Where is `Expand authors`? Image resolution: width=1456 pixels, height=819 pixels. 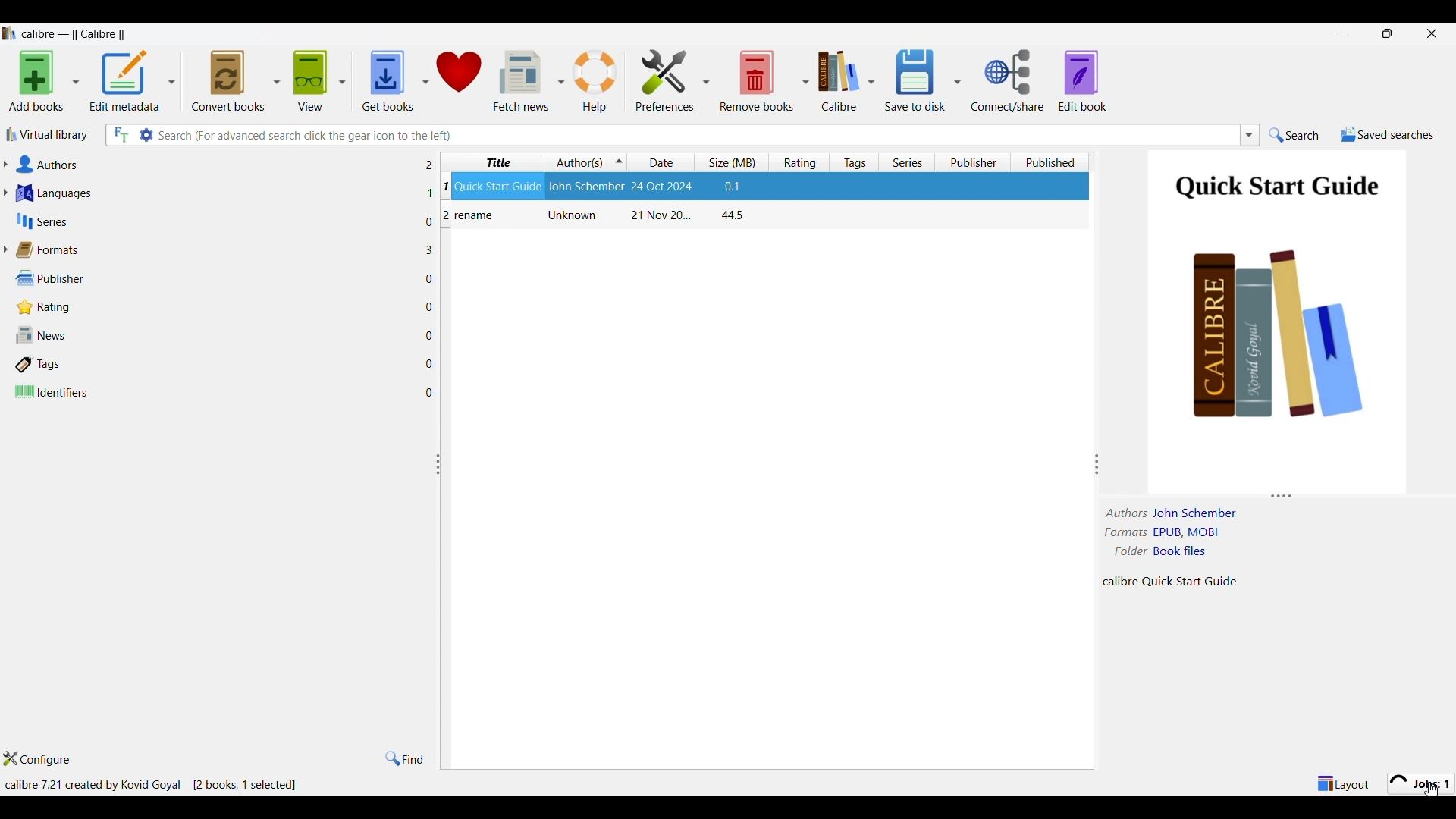 Expand authors is located at coordinates (5, 164).